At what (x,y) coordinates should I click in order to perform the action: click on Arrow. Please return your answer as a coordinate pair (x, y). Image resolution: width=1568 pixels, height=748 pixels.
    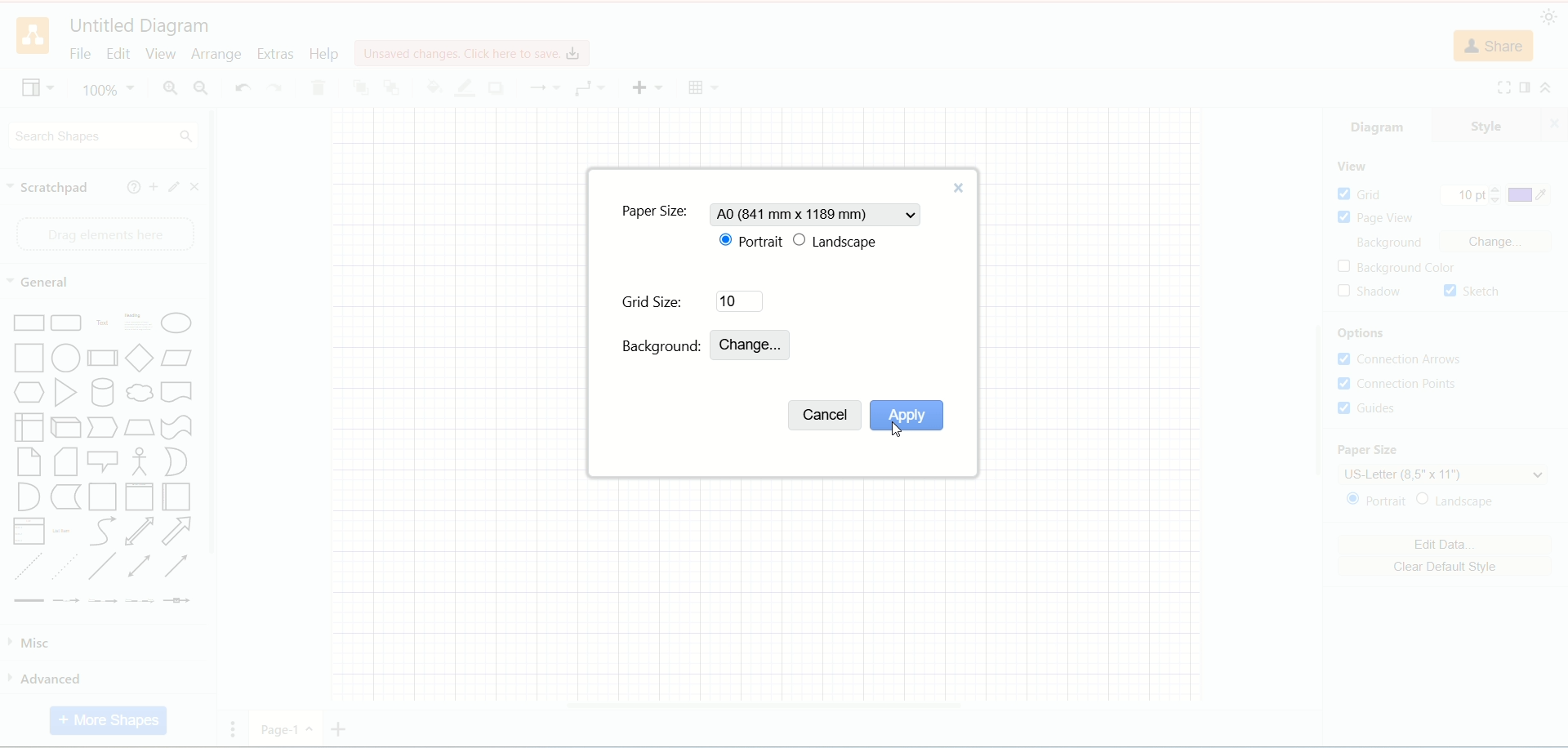
    Looking at the image, I should click on (177, 533).